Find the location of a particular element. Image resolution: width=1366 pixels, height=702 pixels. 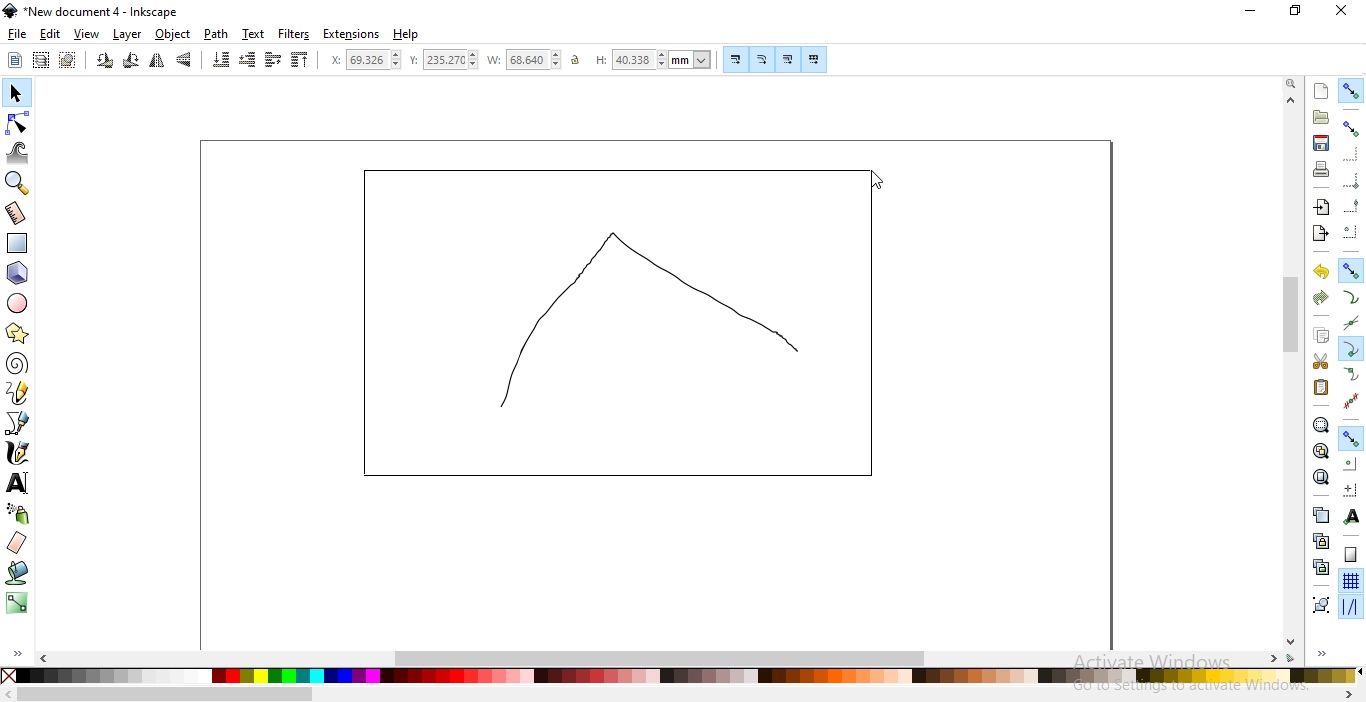

select and transform objects is located at coordinates (18, 94).